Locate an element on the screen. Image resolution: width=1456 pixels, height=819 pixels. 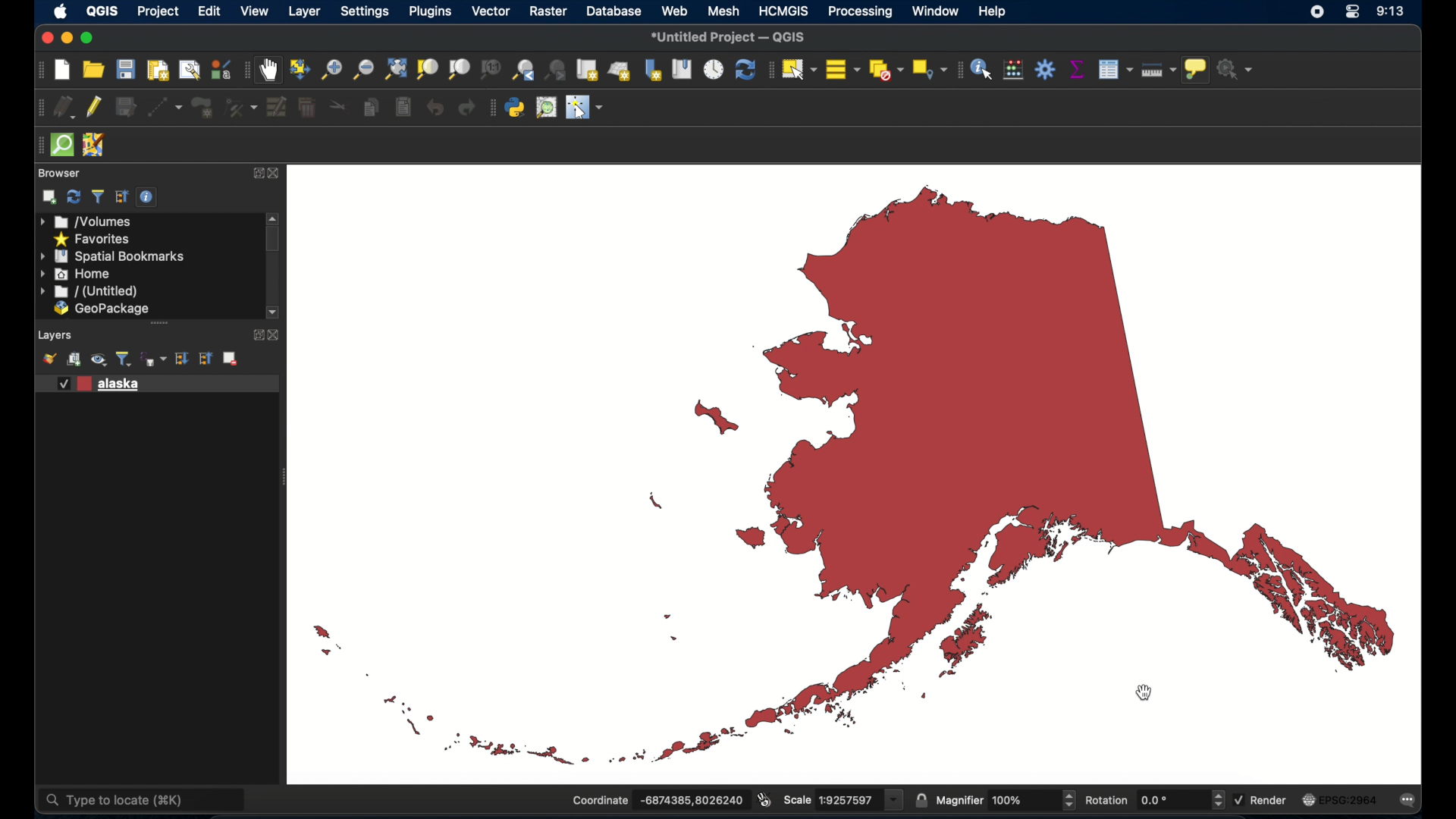
zoom to layer is located at coordinates (460, 70).